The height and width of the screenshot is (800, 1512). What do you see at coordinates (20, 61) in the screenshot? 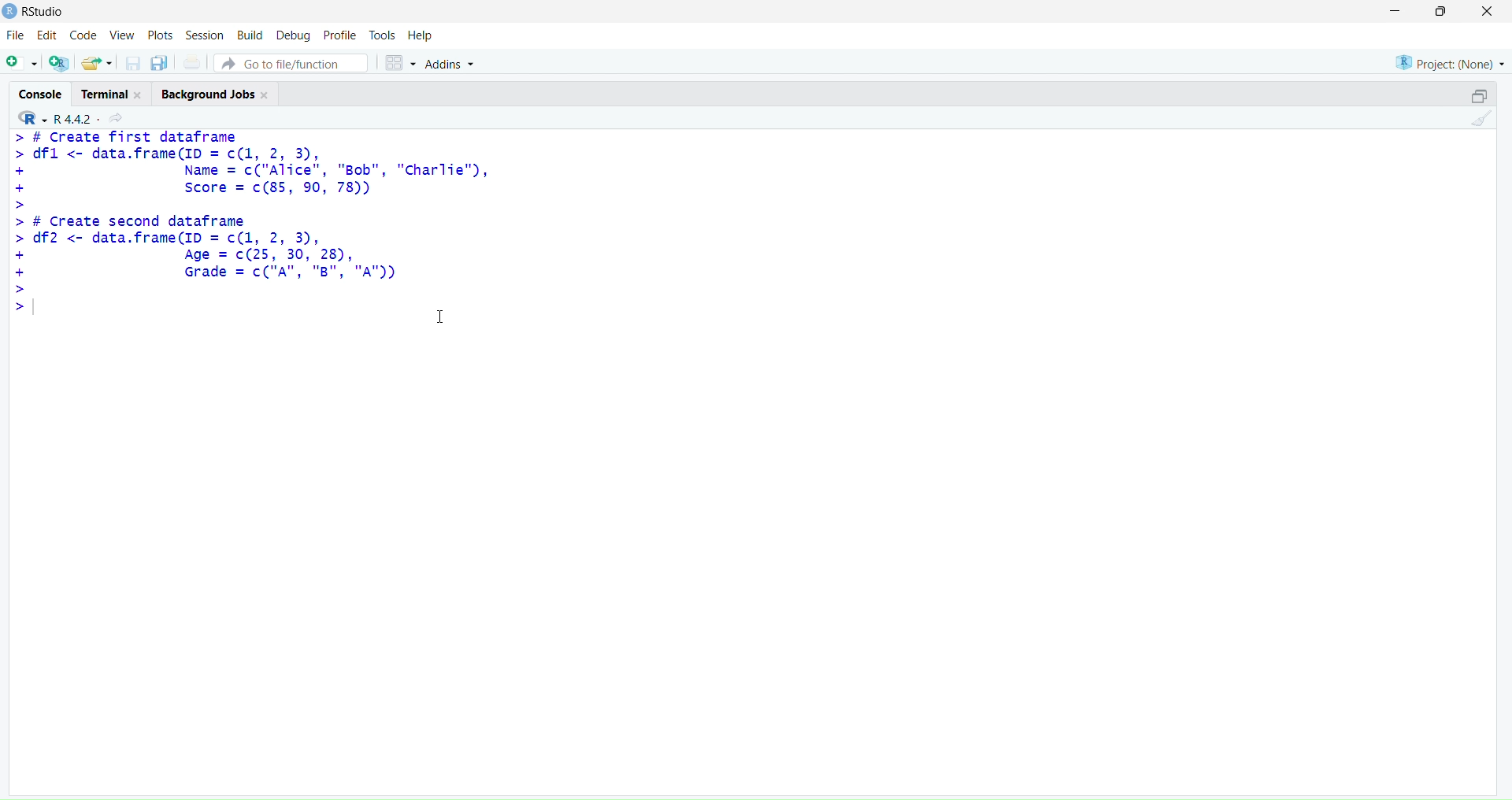
I see `new file` at bounding box center [20, 61].